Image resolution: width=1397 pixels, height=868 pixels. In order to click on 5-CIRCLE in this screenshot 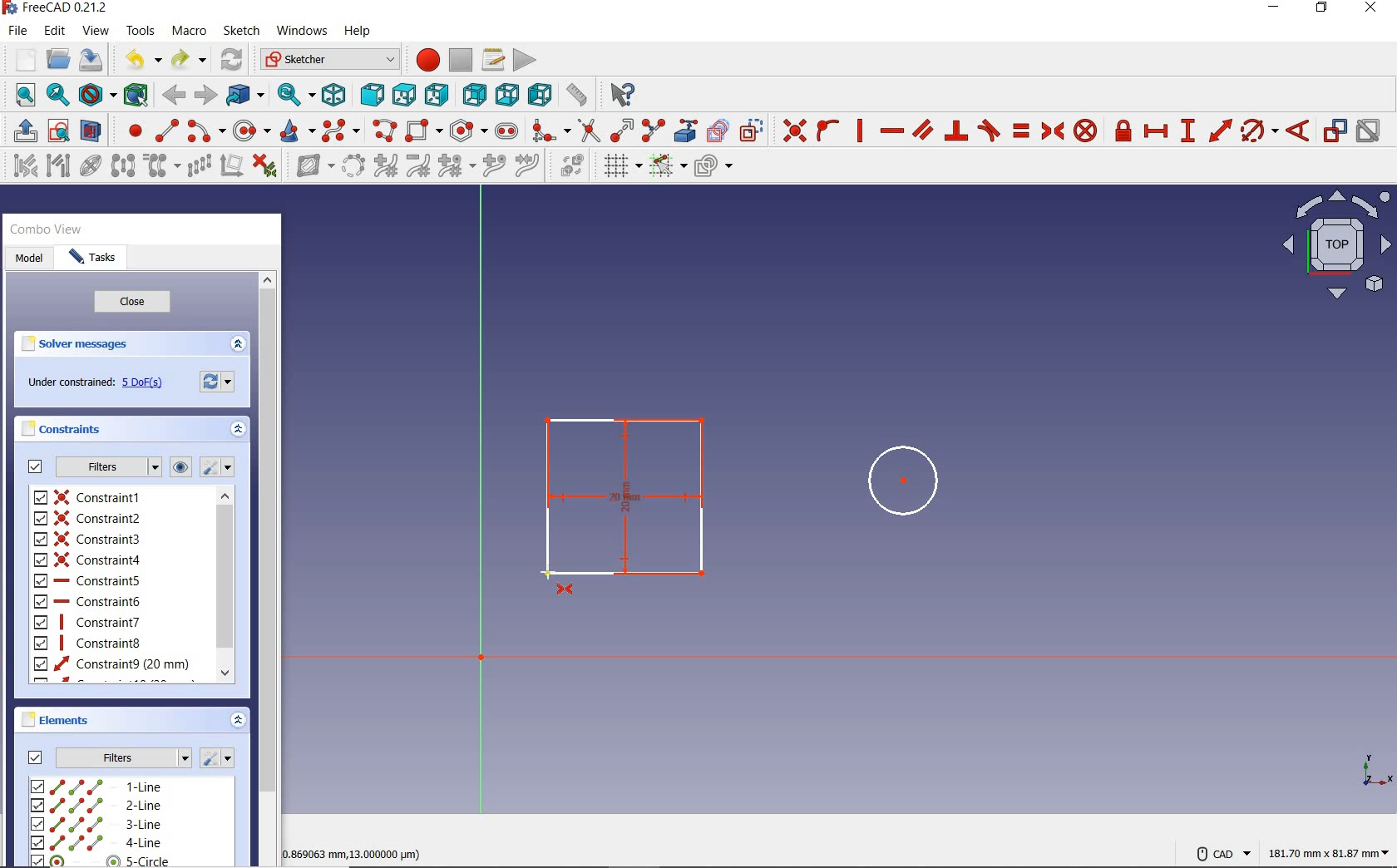, I will do `click(101, 861)`.